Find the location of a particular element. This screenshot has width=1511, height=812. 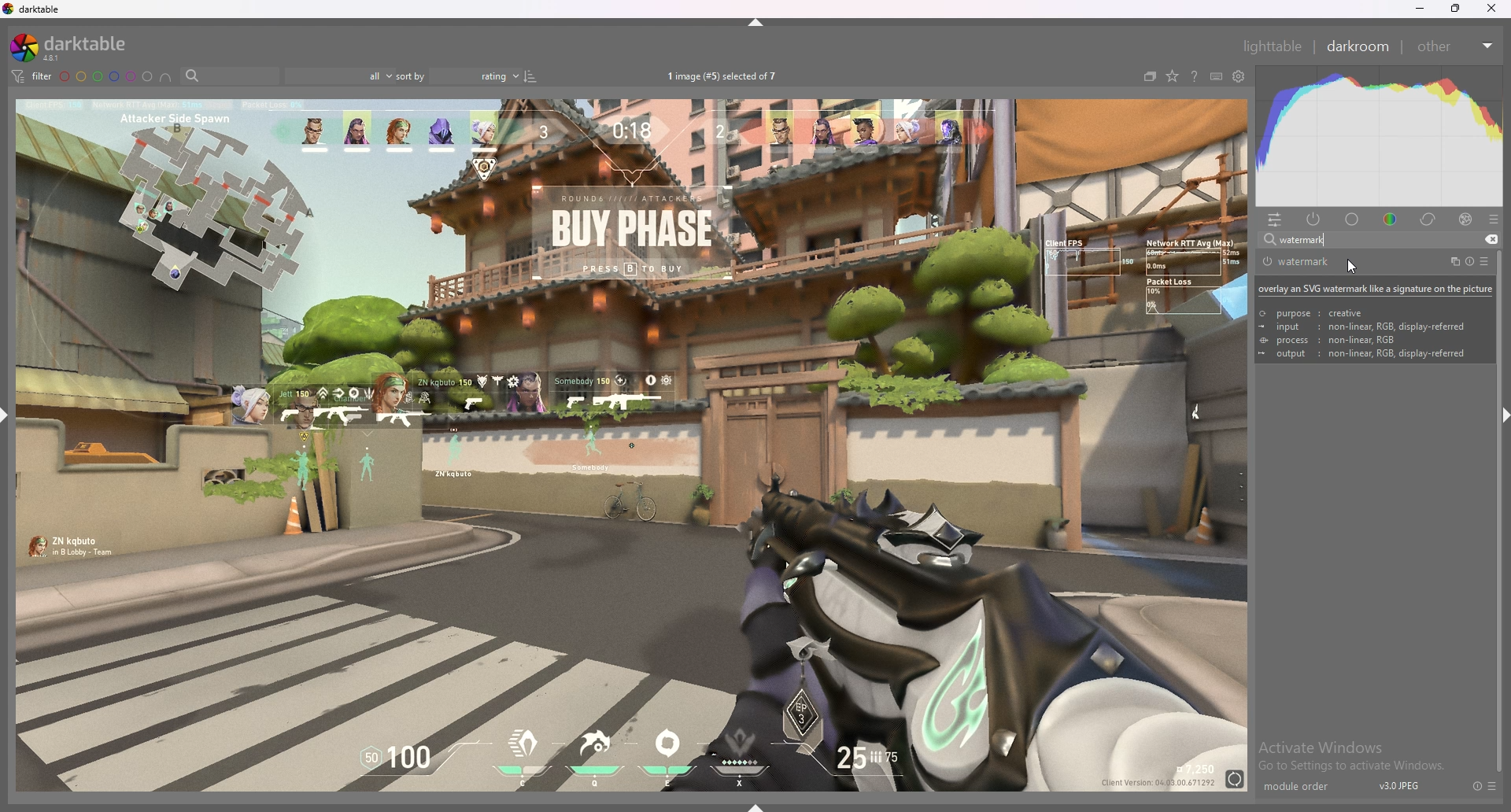

show is located at coordinates (762, 803).